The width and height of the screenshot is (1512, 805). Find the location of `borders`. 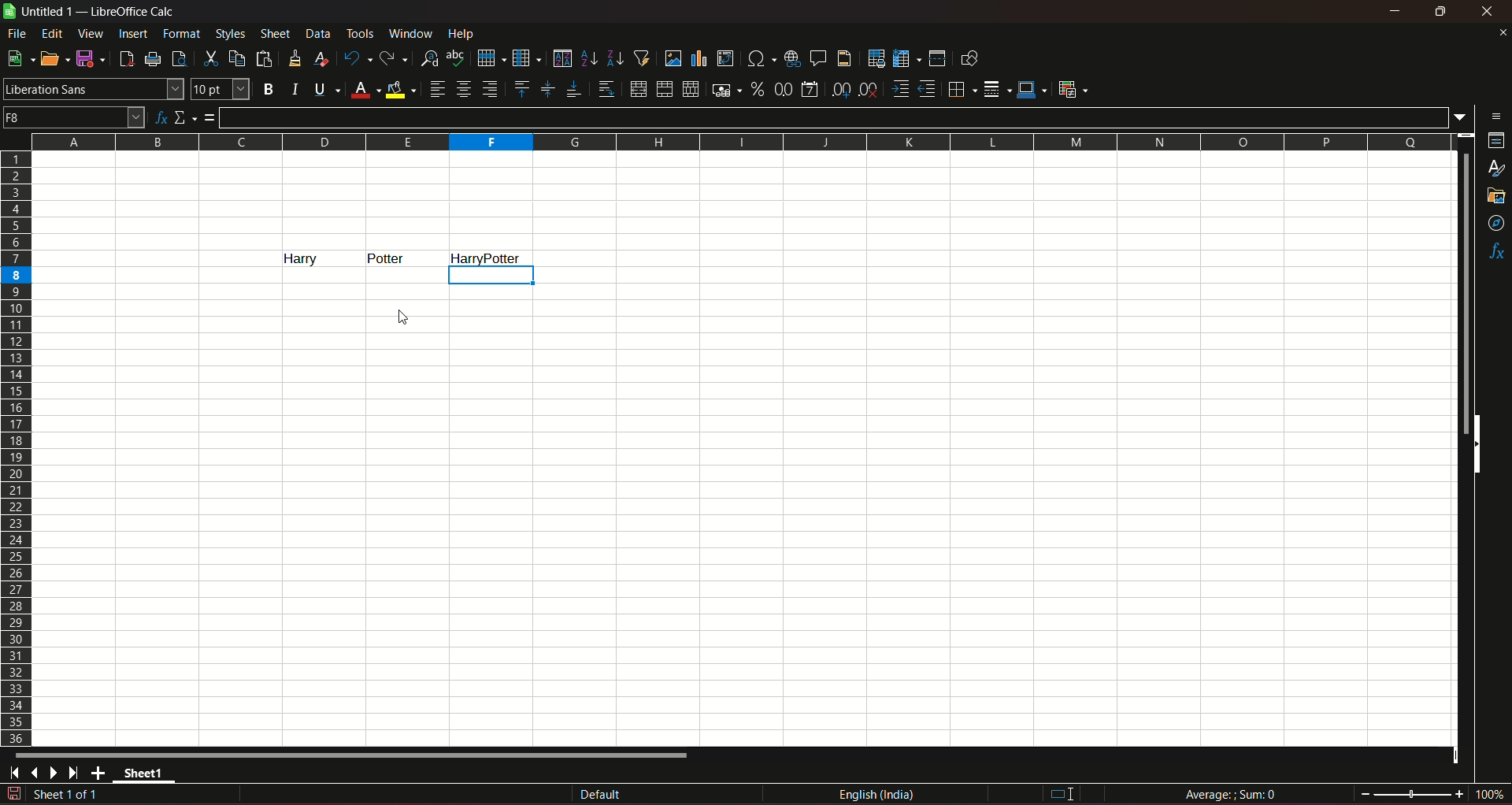

borders is located at coordinates (960, 89).